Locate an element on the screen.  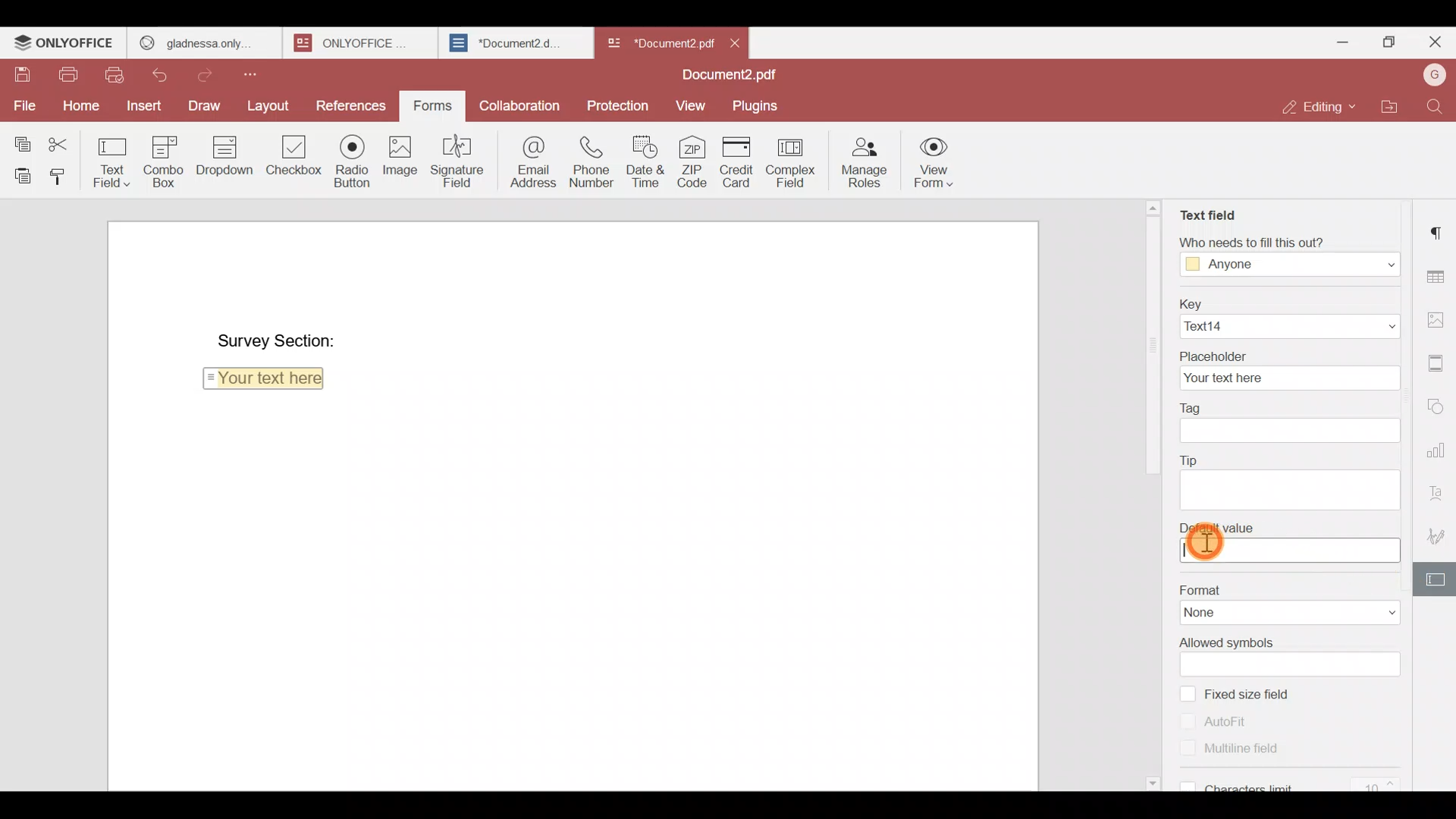
your text here is located at coordinates (1285, 377).